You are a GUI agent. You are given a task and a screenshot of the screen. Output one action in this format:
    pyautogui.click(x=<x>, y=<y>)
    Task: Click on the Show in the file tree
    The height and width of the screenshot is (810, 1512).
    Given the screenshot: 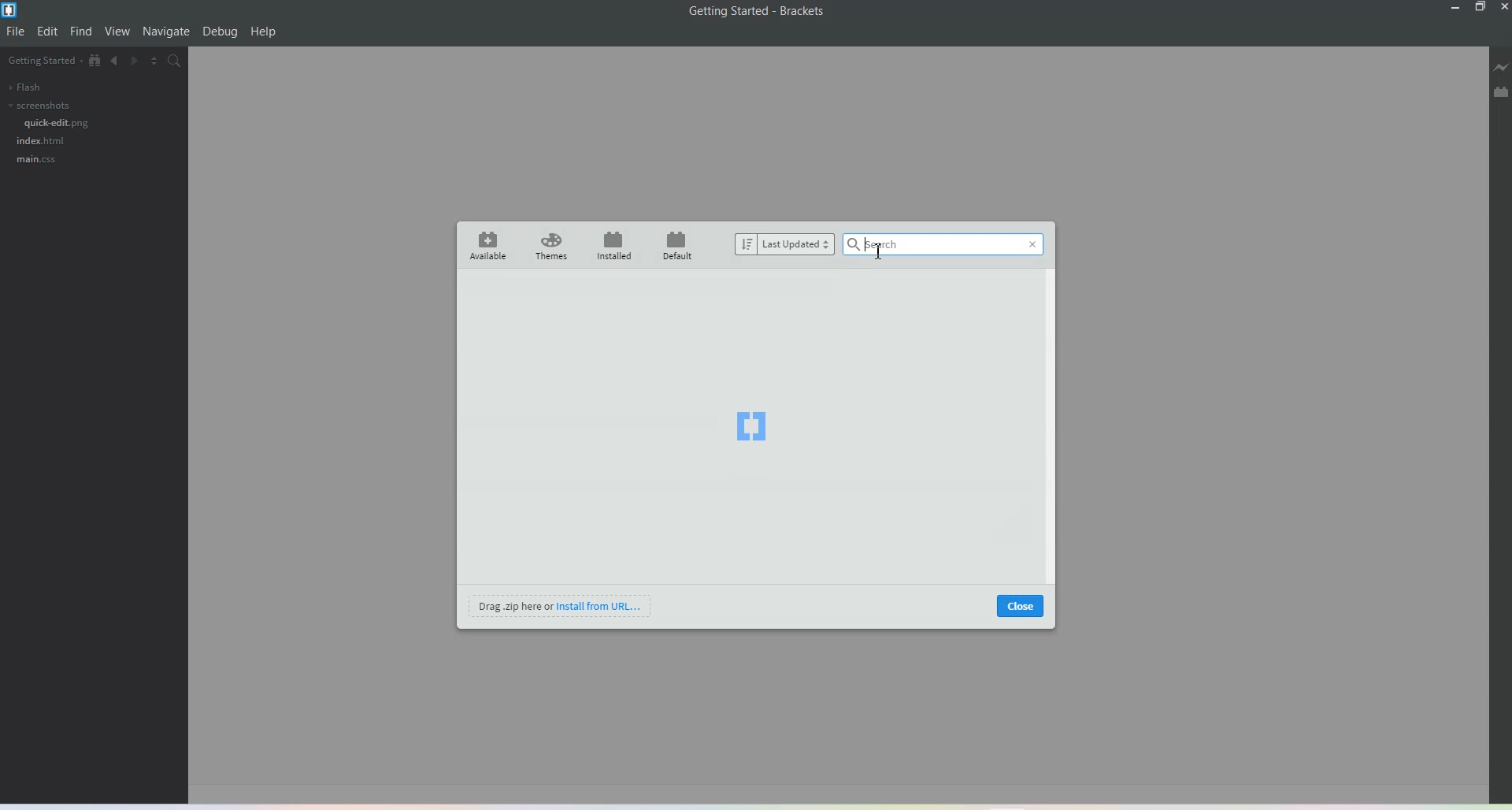 What is the action you would take?
    pyautogui.click(x=95, y=61)
    